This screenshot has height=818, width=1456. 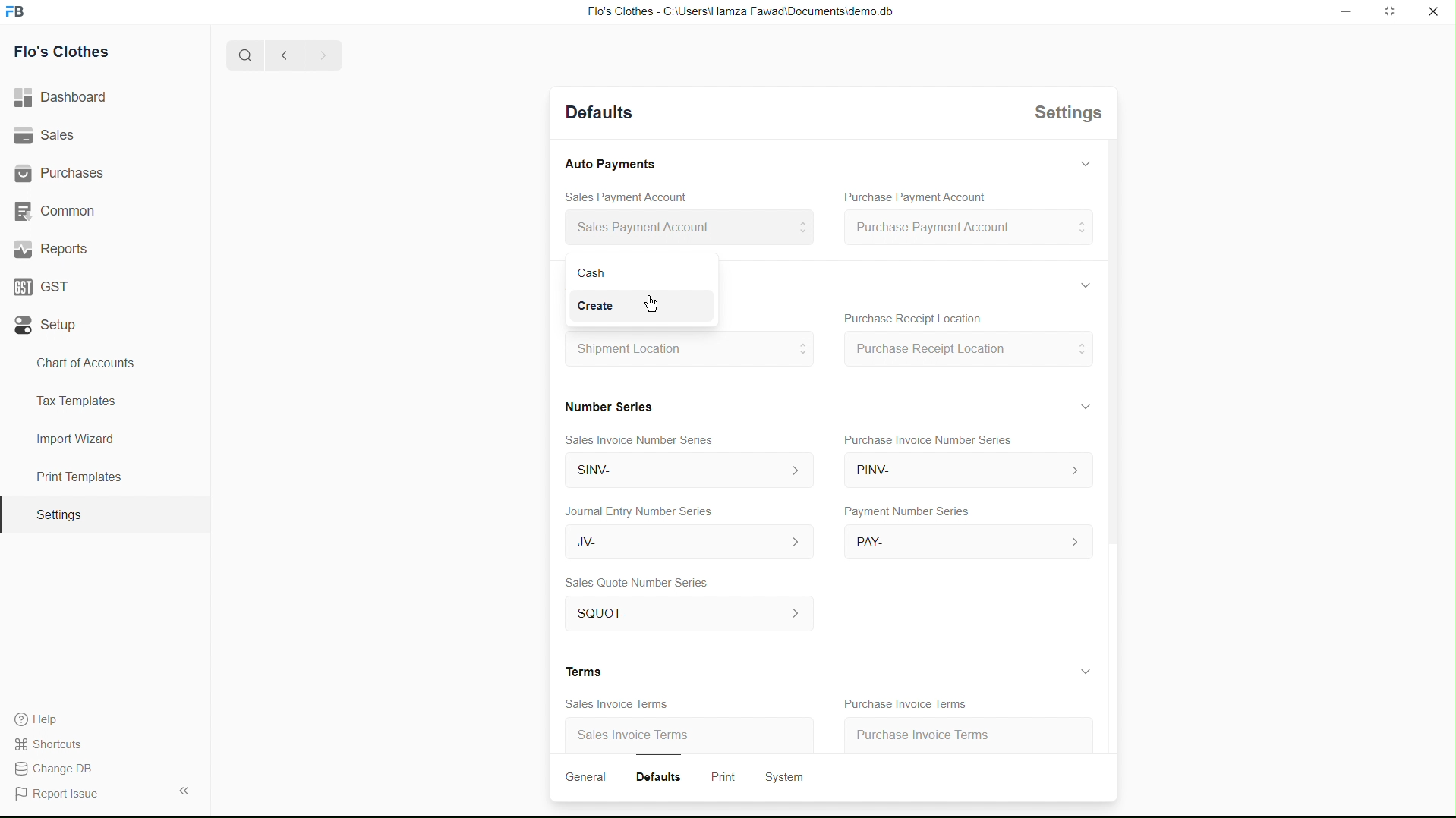 I want to click on Create, so click(x=604, y=307).